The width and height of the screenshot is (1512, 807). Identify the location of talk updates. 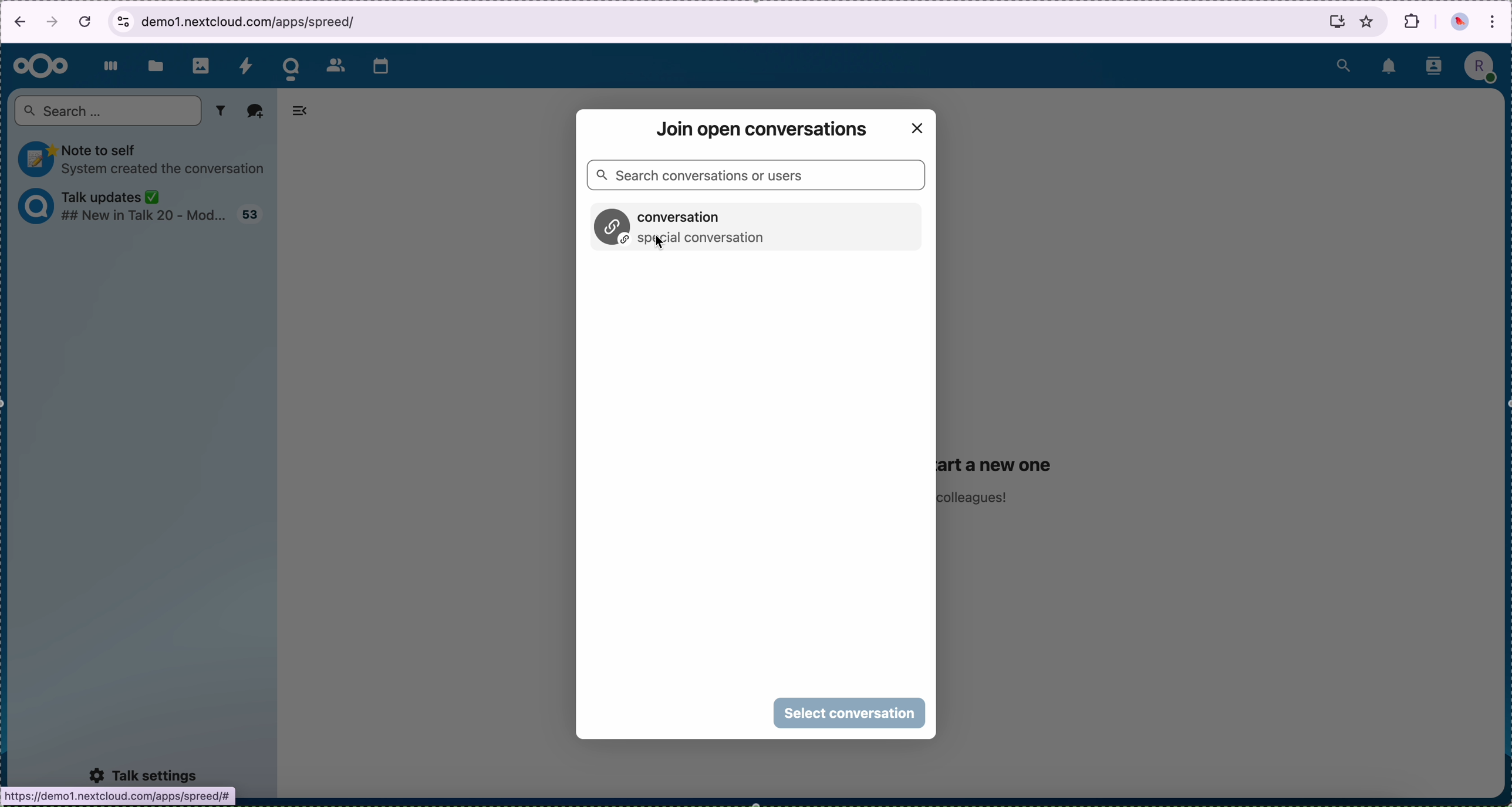
(247, 214).